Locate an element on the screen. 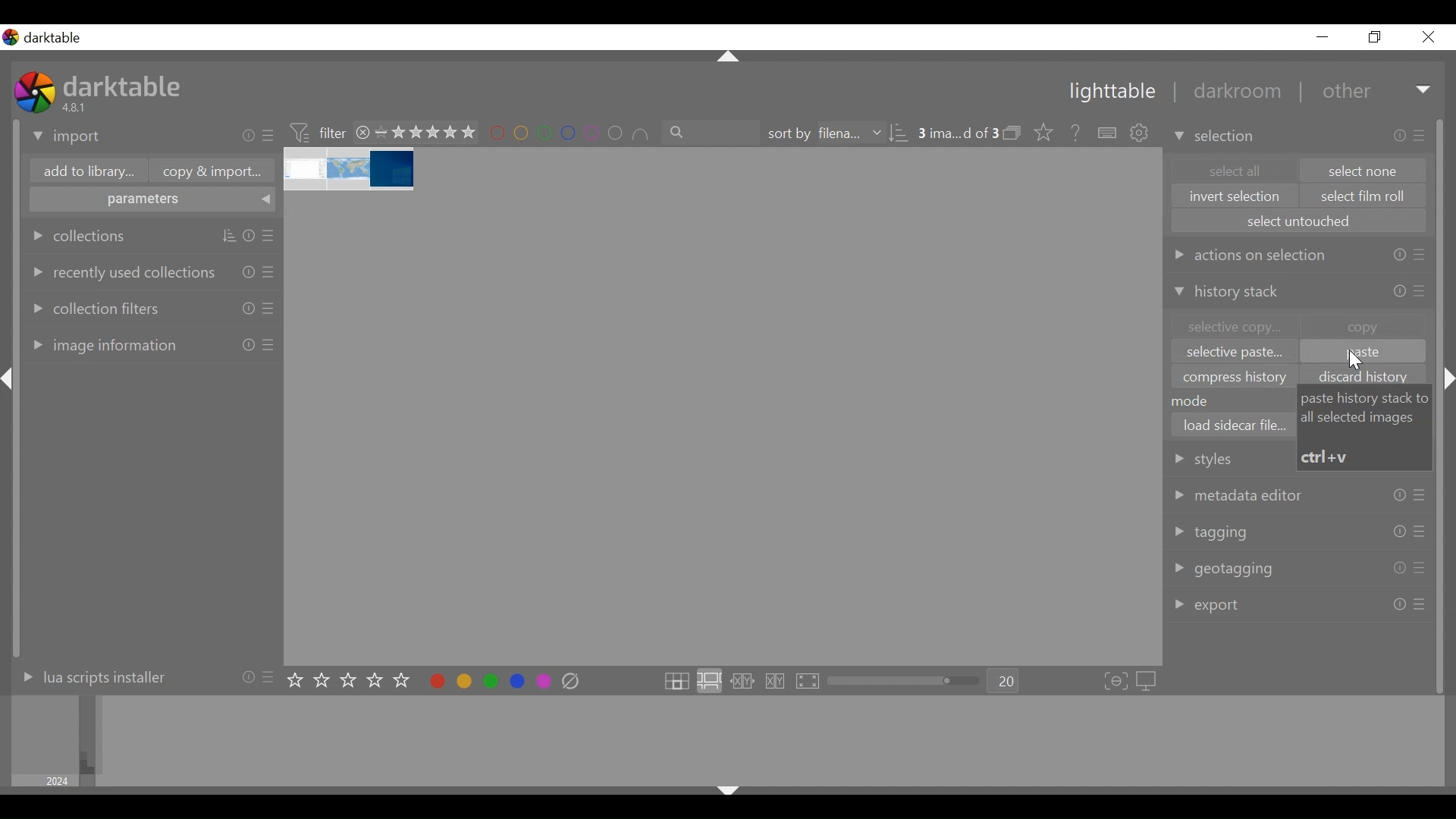  paste history stack to
all selected images is located at coordinates (1367, 408).